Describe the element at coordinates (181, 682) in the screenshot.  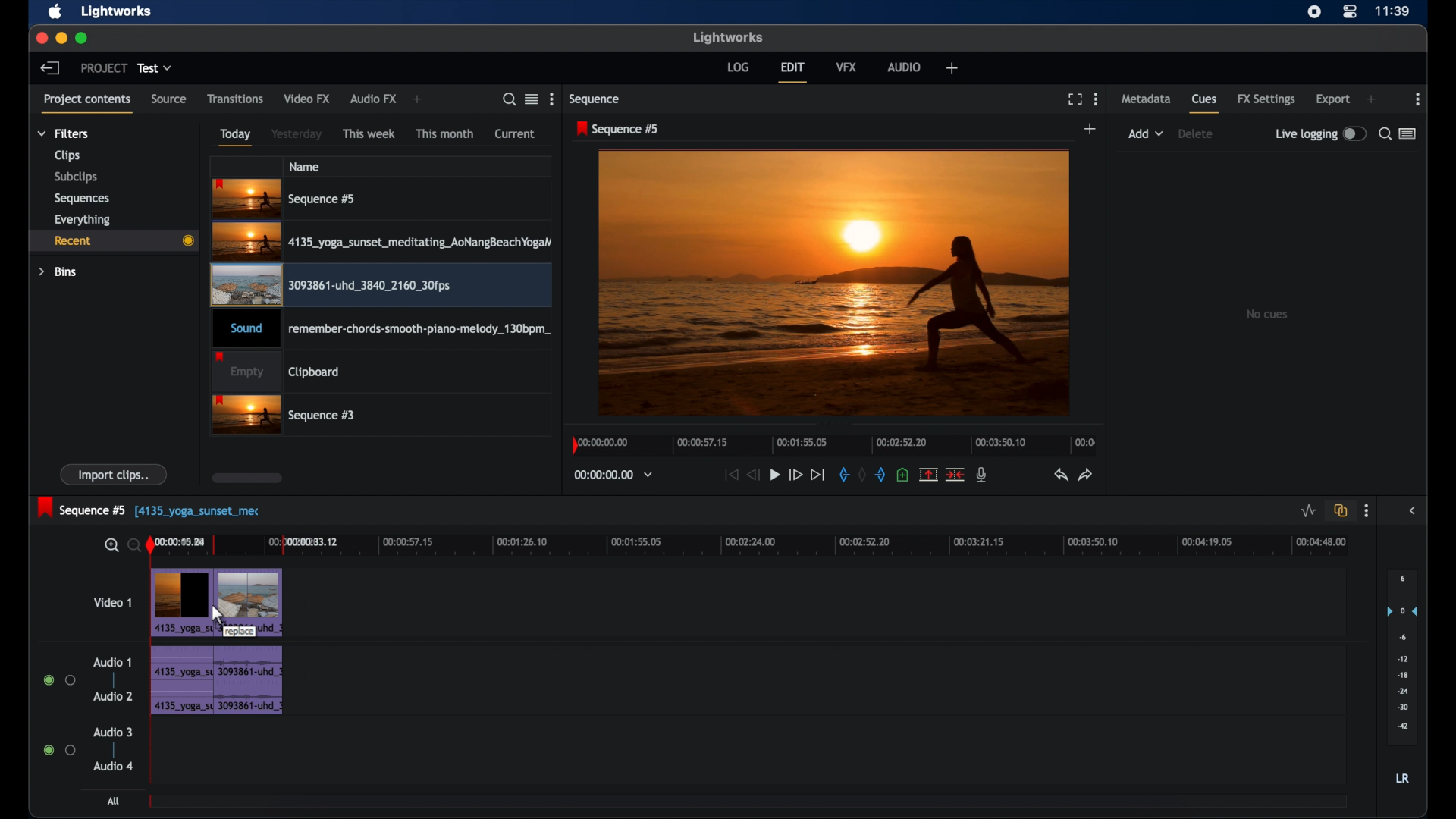
I see `audio clip` at that location.